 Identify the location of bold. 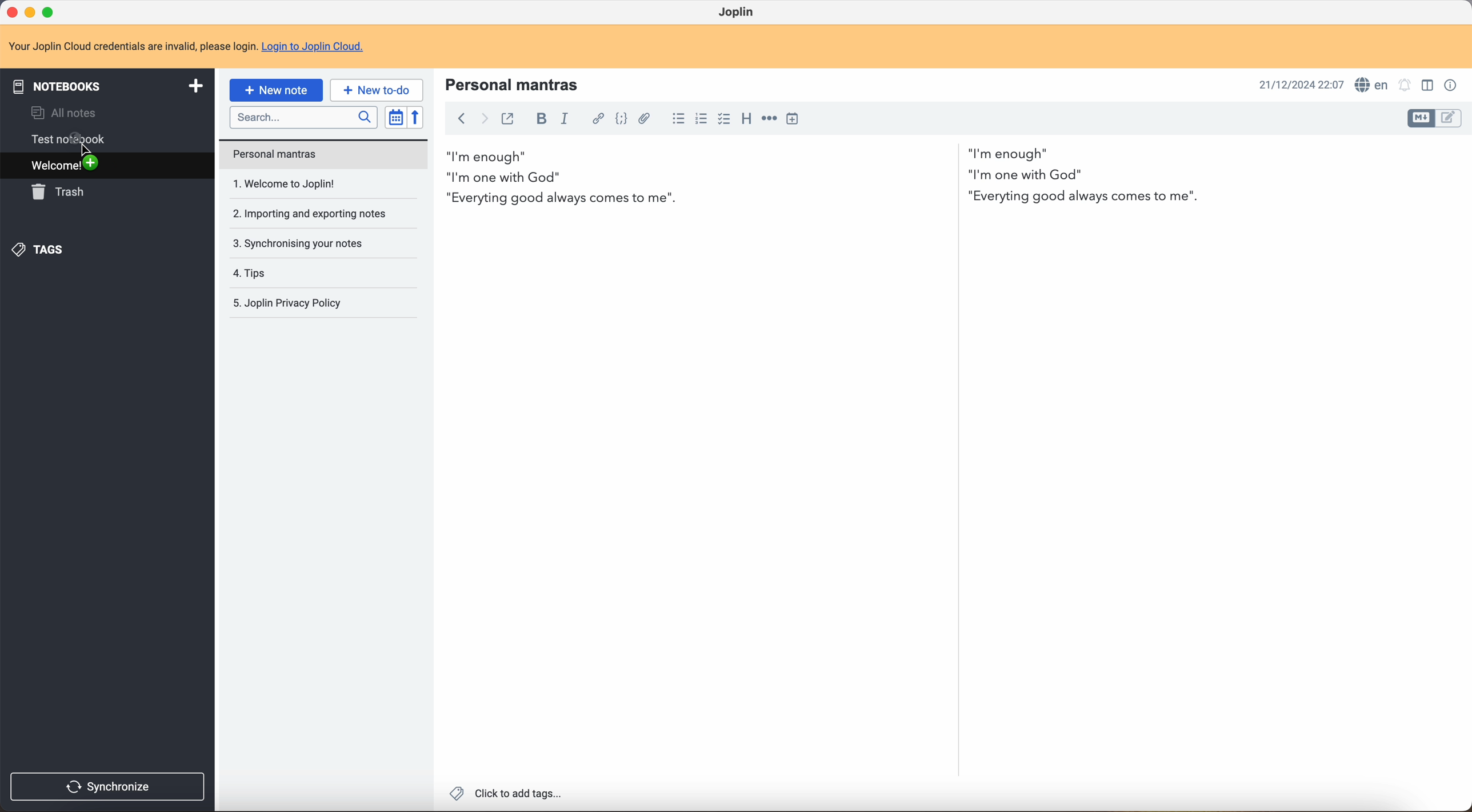
(541, 118).